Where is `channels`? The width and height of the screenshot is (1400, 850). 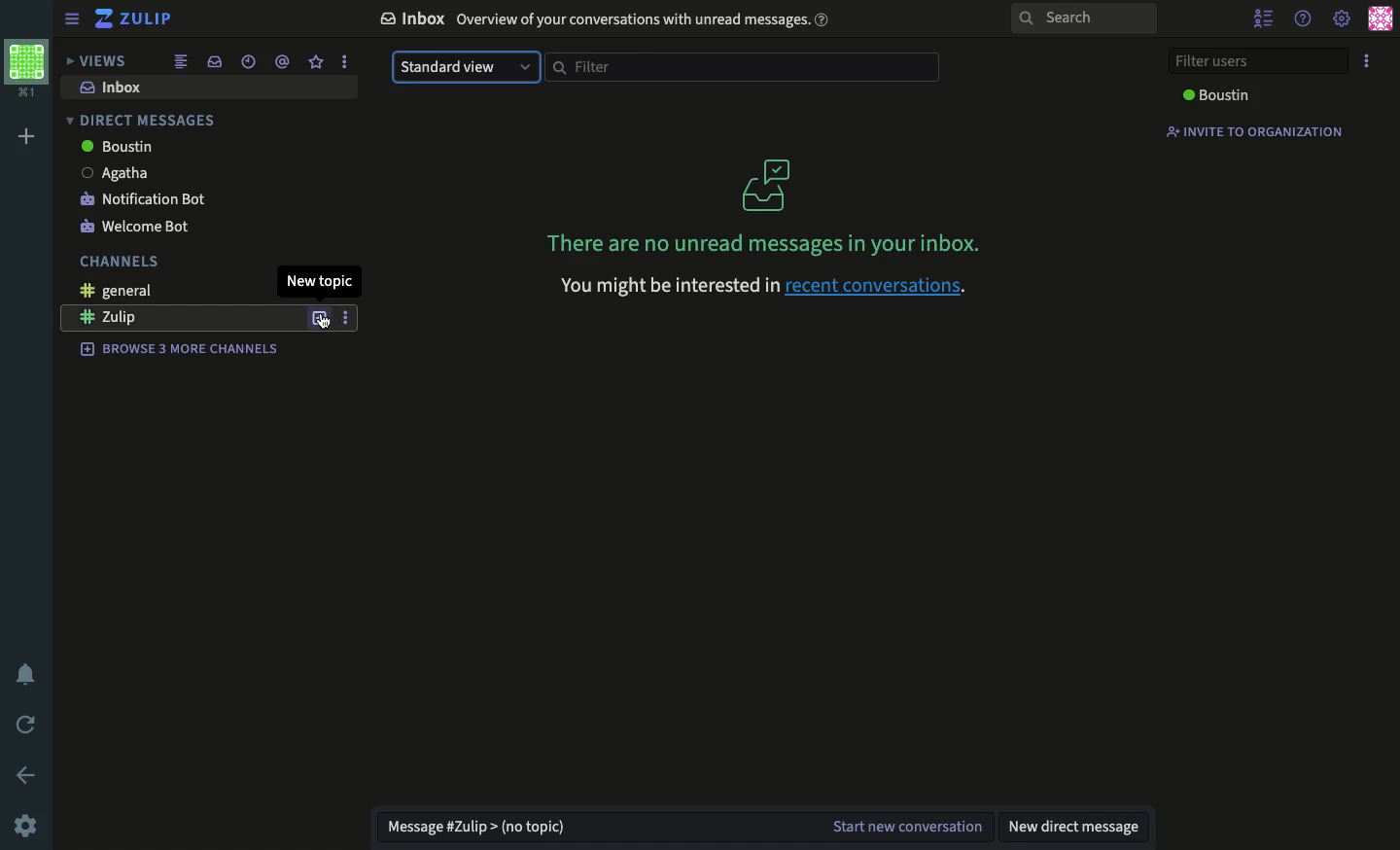
channels is located at coordinates (115, 261).